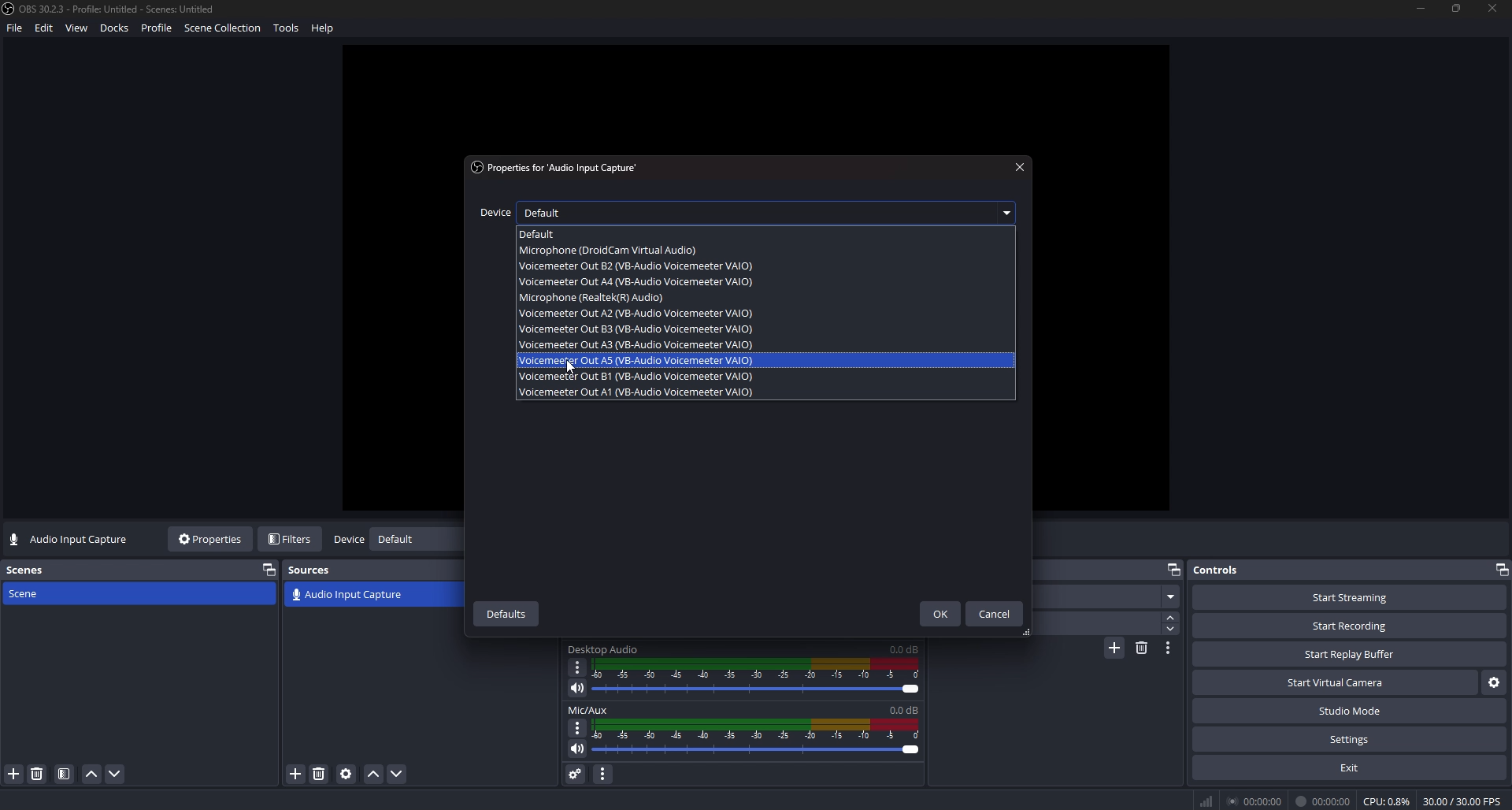 This screenshot has height=810, width=1512. I want to click on volume adjust, so click(756, 679).